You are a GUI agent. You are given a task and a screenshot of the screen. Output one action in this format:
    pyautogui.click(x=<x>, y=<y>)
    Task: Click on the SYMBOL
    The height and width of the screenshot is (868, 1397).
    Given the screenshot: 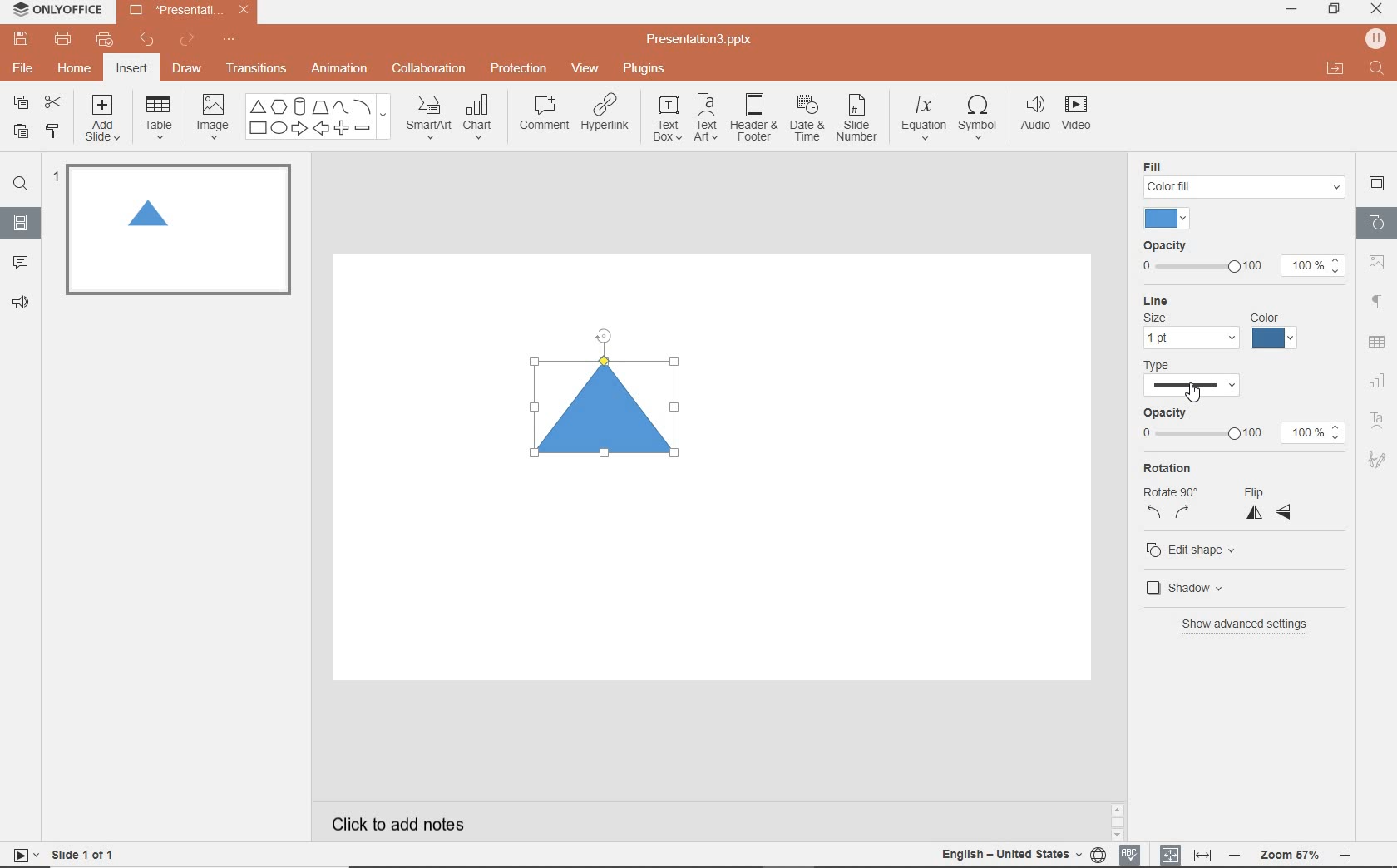 What is the action you would take?
    pyautogui.click(x=980, y=114)
    